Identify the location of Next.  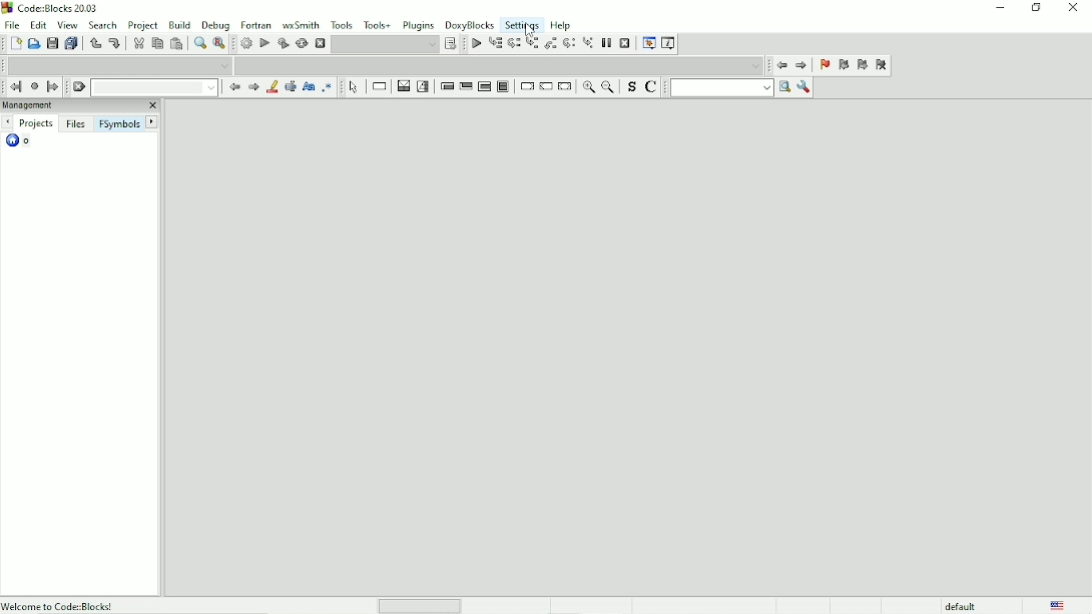
(252, 86).